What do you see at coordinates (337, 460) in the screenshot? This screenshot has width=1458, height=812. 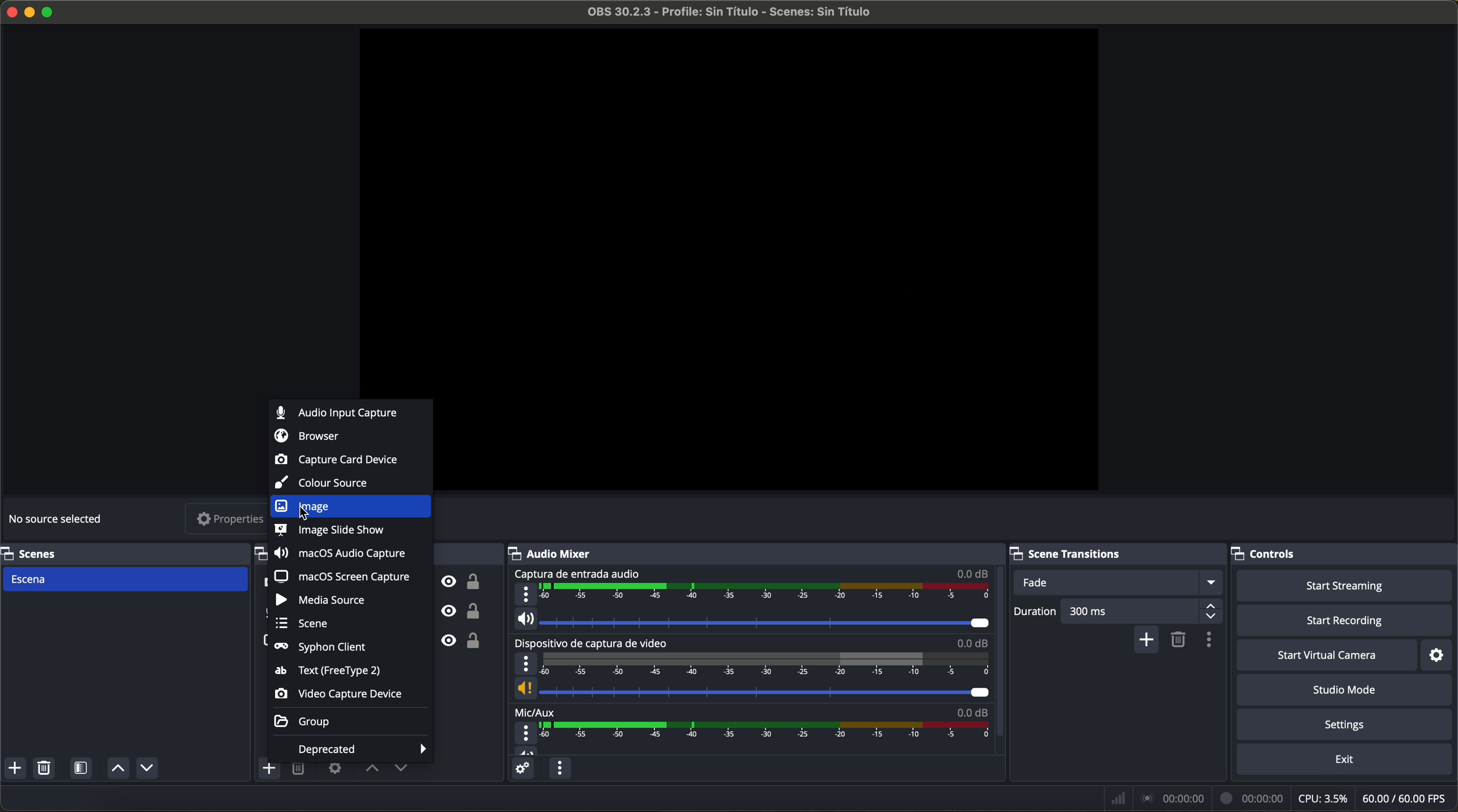 I see `capture card device` at bounding box center [337, 460].